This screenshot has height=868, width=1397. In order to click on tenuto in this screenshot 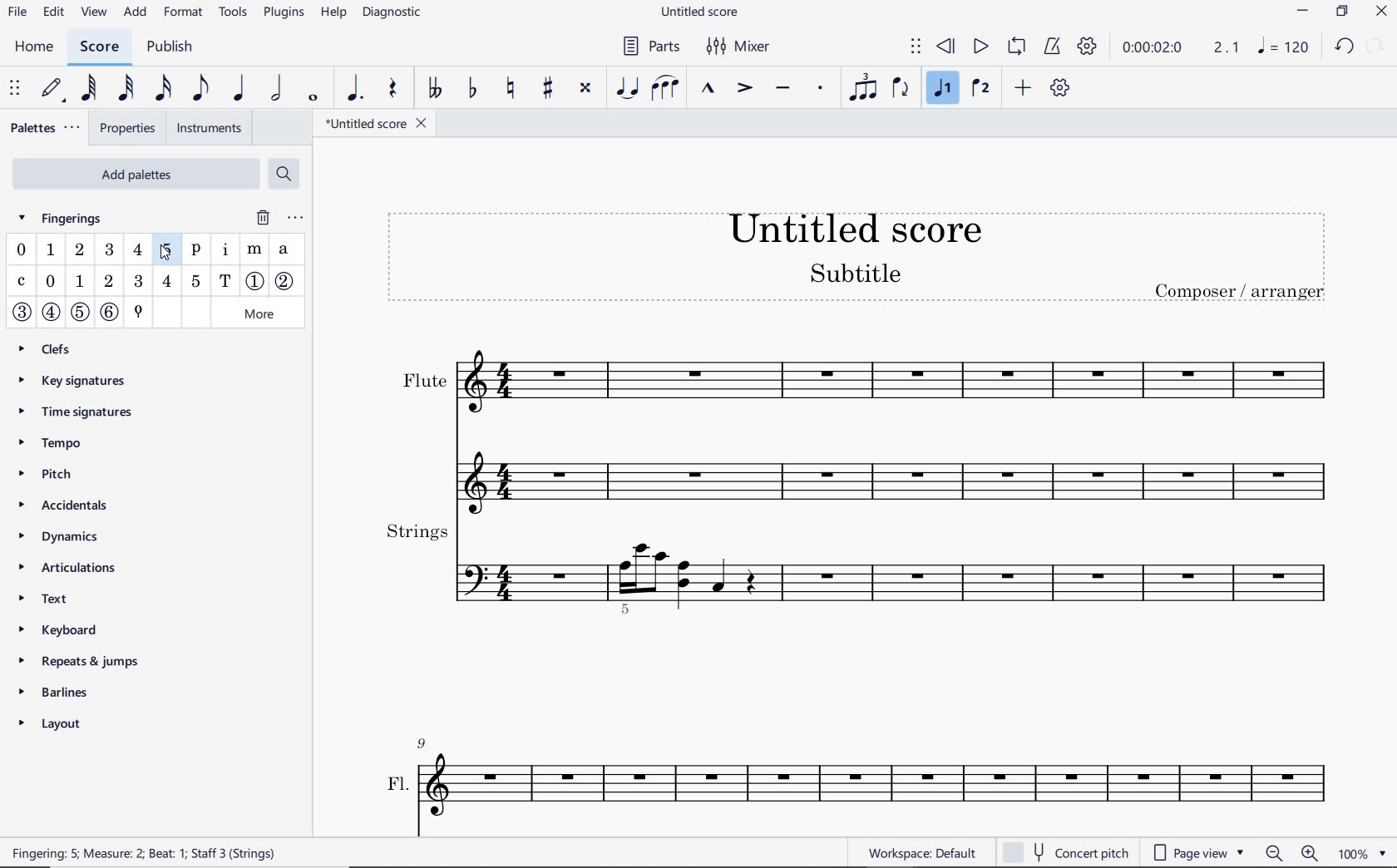, I will do `click(782, 90)`.